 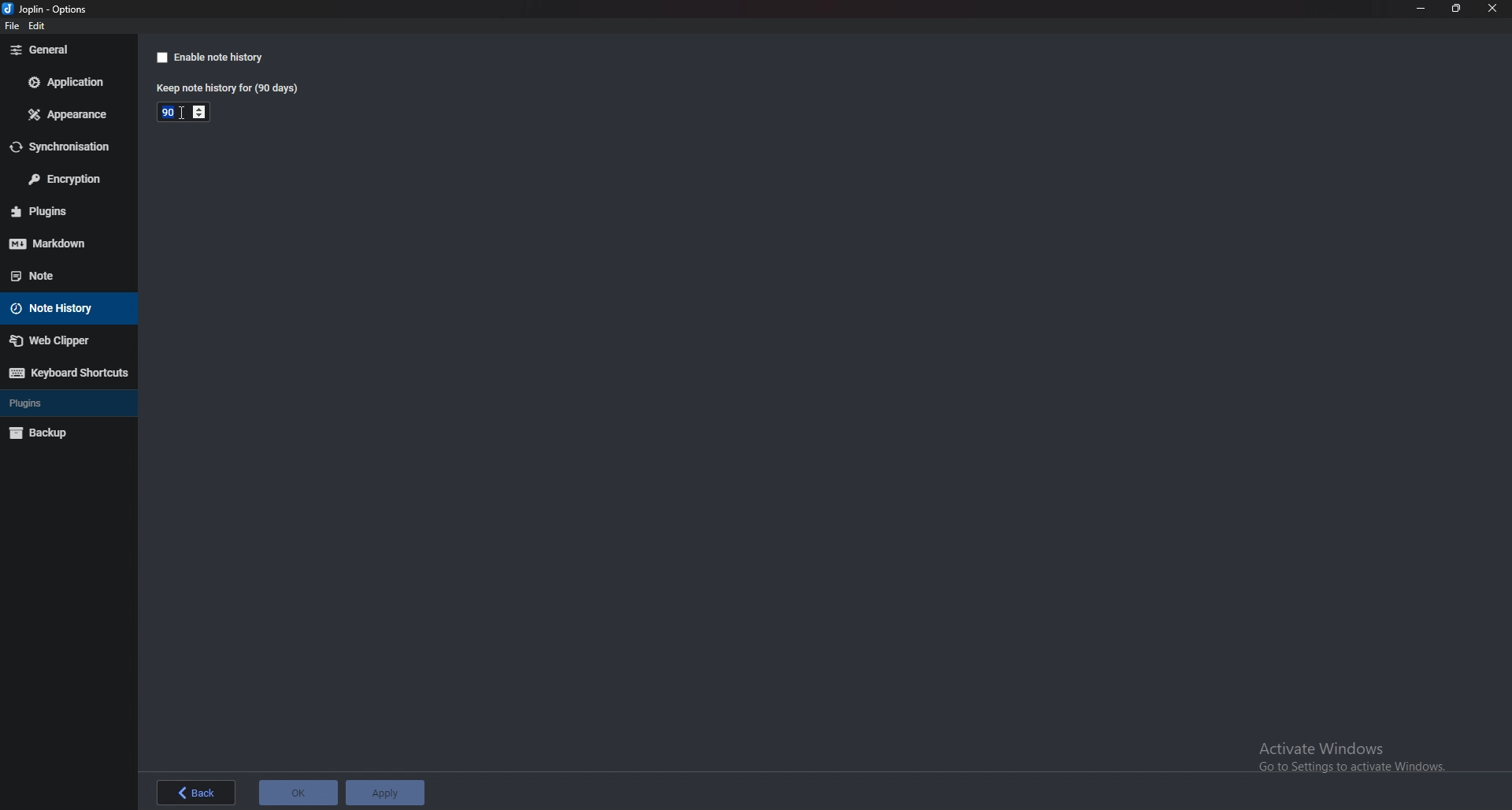 I want to click on Activate Windows
Go to Settings to activate Windows., so click(x=1350, y=761).